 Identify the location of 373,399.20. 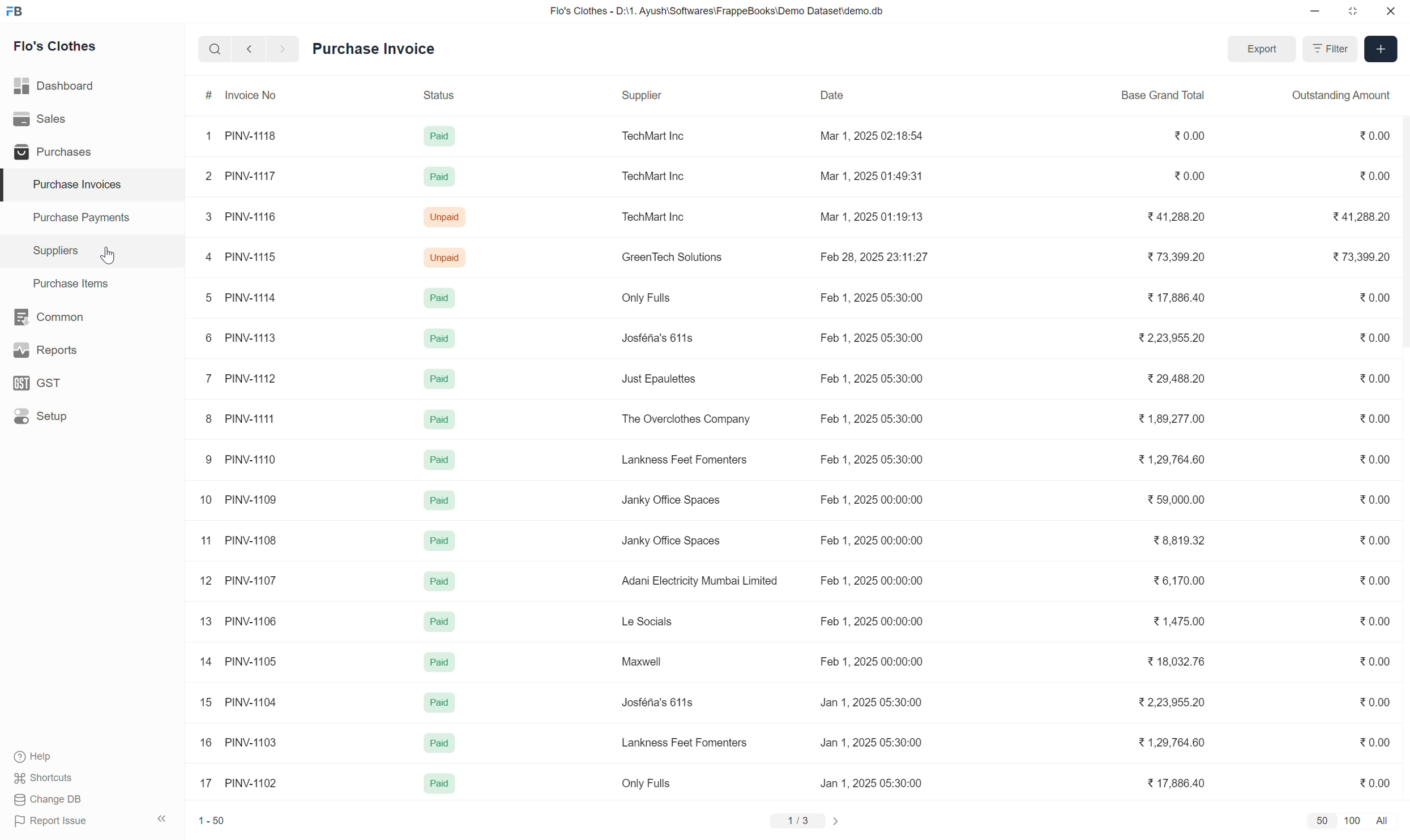
(1171, 257).